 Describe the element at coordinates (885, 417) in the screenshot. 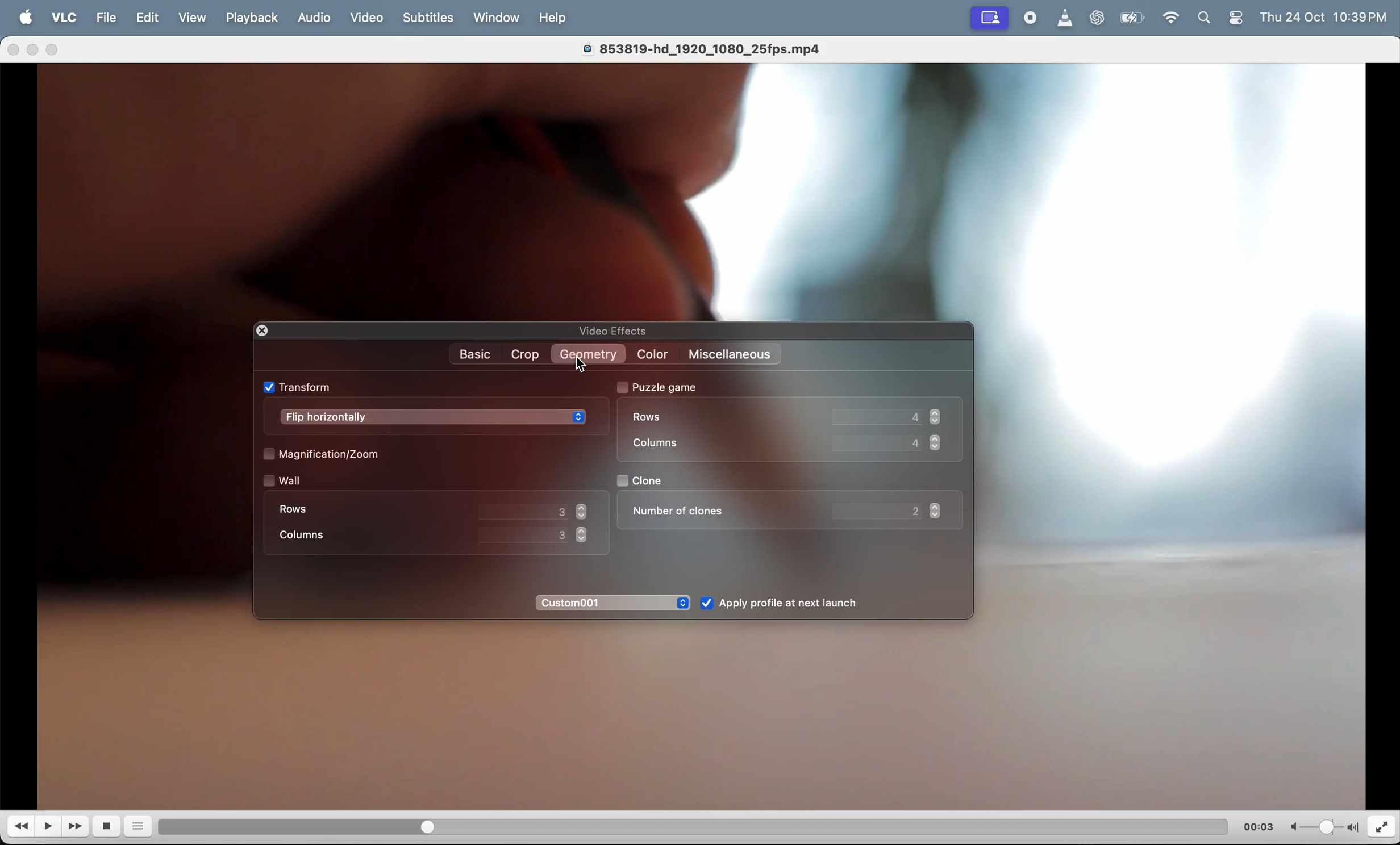

I see ` Row value` at that location.